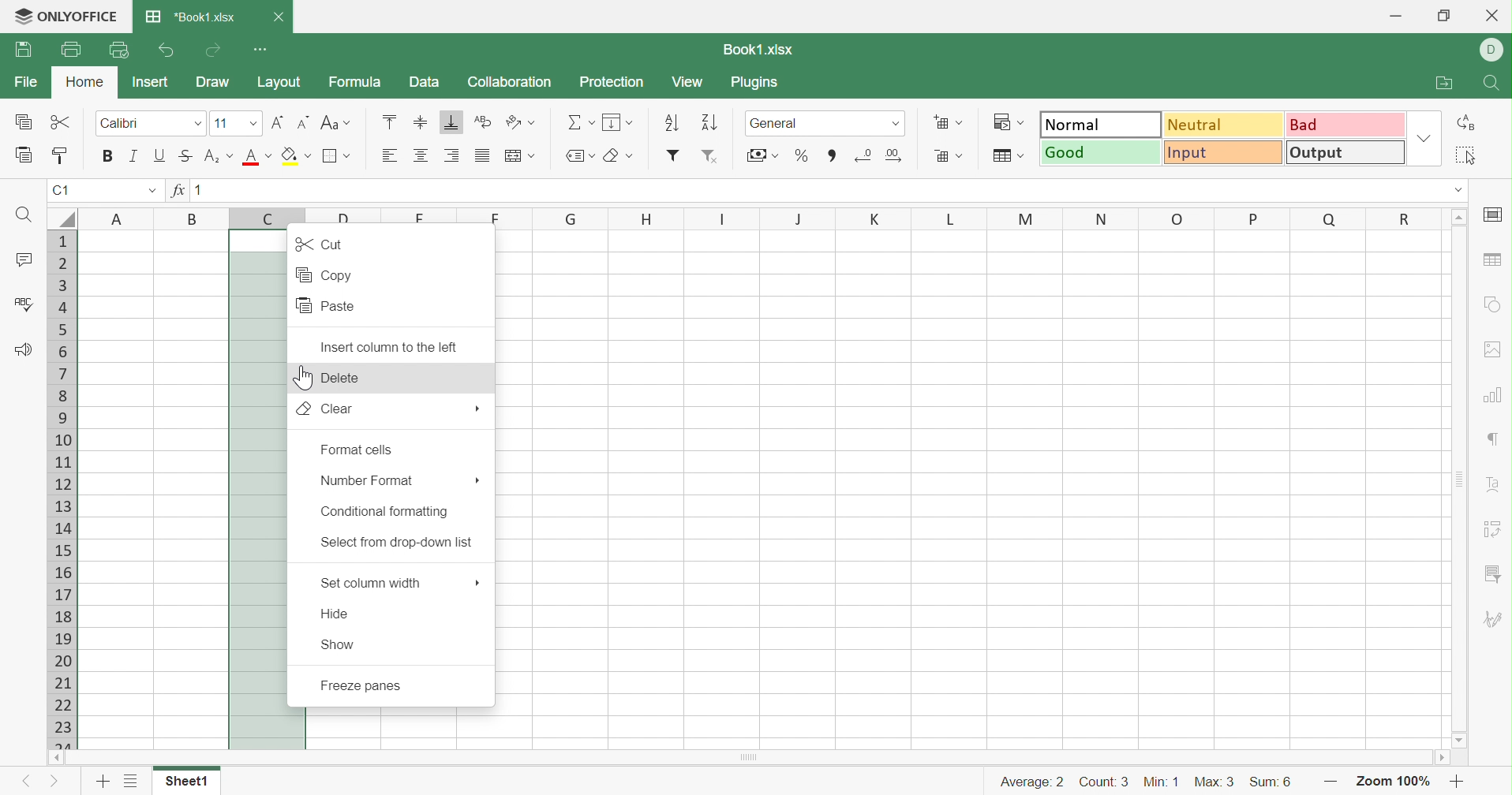 This screenshot has width=1512, height=795. I want to click on Drop Down, so click(1460, 189).